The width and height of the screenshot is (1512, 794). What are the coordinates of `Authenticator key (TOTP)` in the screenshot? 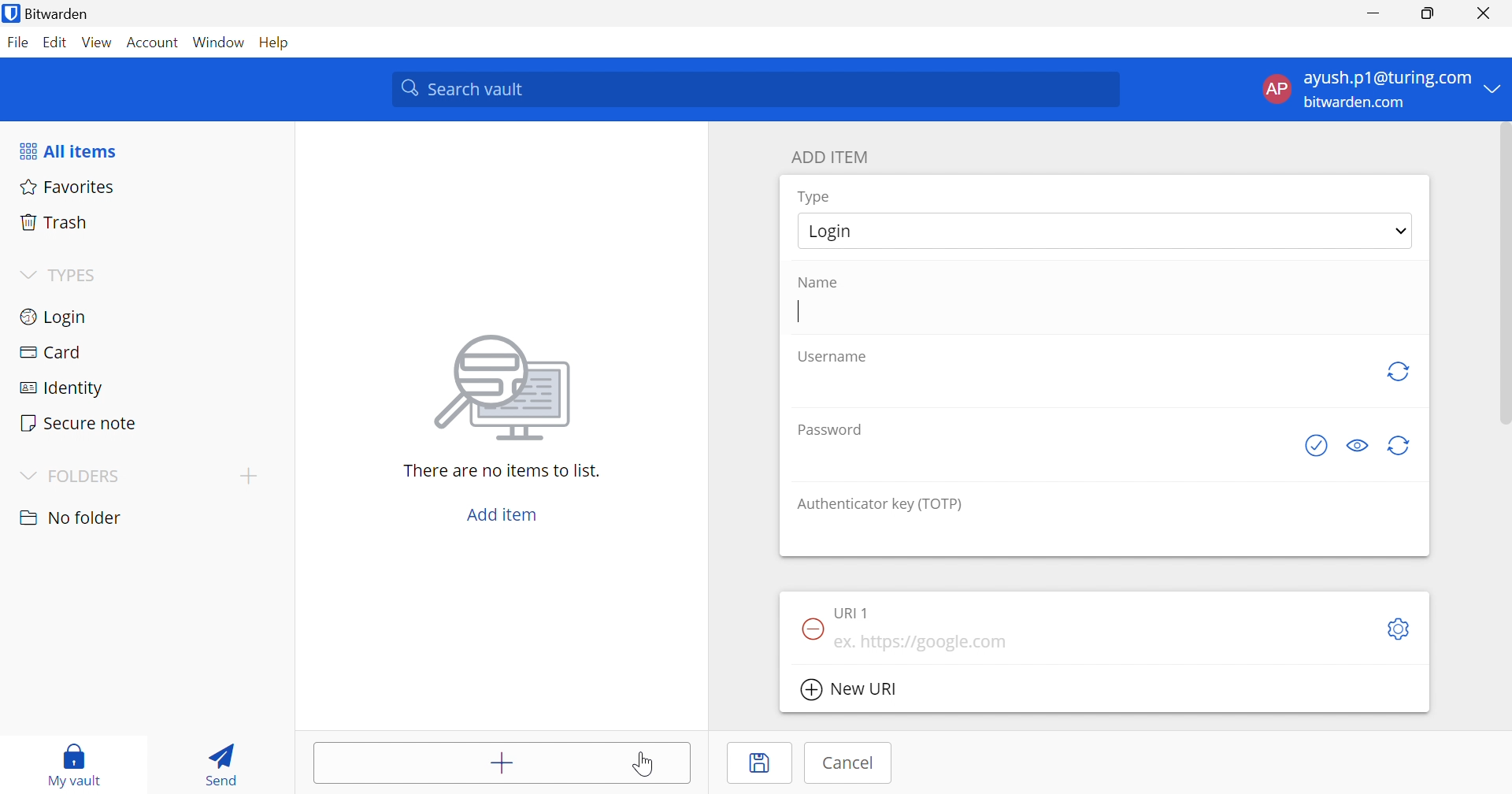 It's located at (880, 506).